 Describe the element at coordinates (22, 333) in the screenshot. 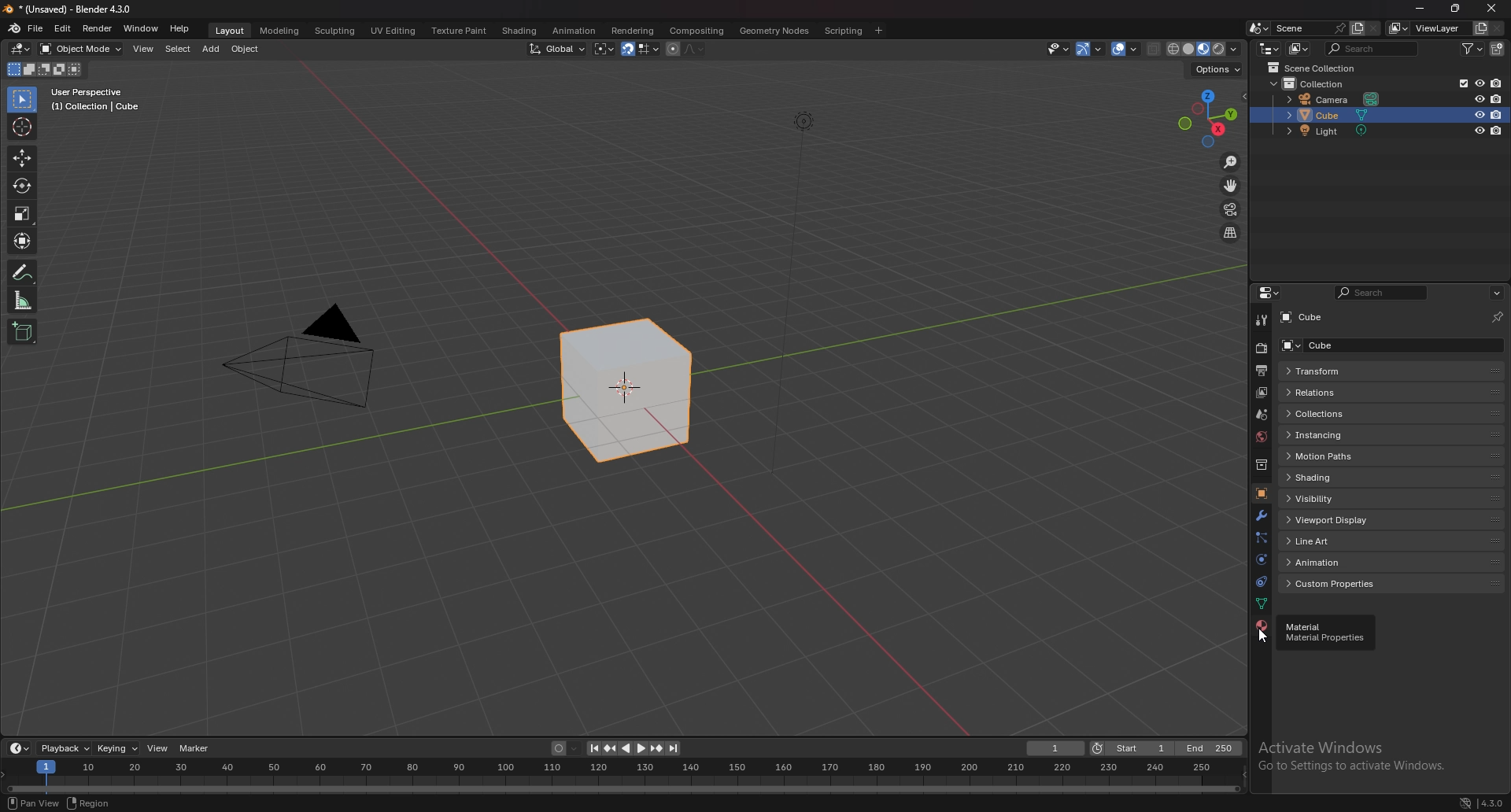

I see `add cube` at that location.